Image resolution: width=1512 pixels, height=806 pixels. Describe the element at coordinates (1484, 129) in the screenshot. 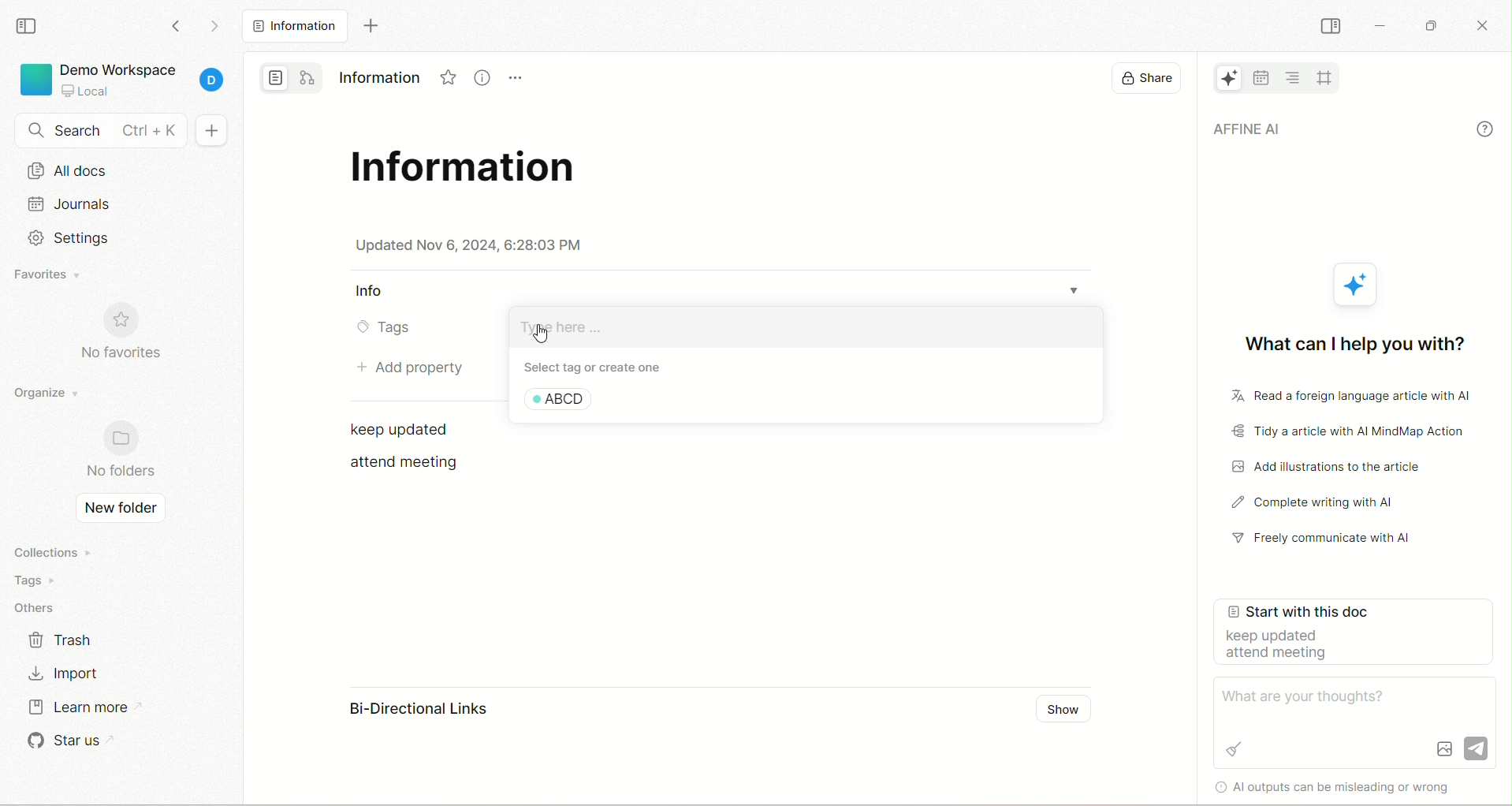

I see `info` at that location.